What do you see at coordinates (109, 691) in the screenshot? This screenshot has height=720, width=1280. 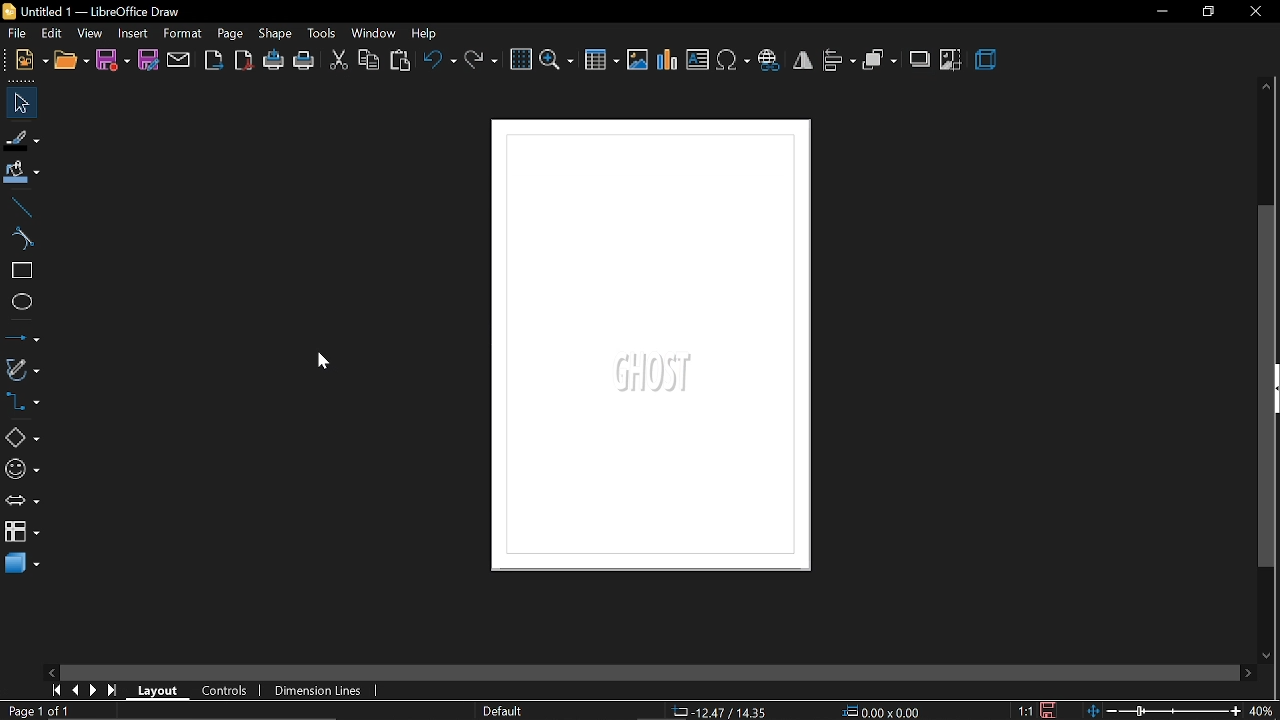 I see `go to last page` at bounding box center [109, 691].